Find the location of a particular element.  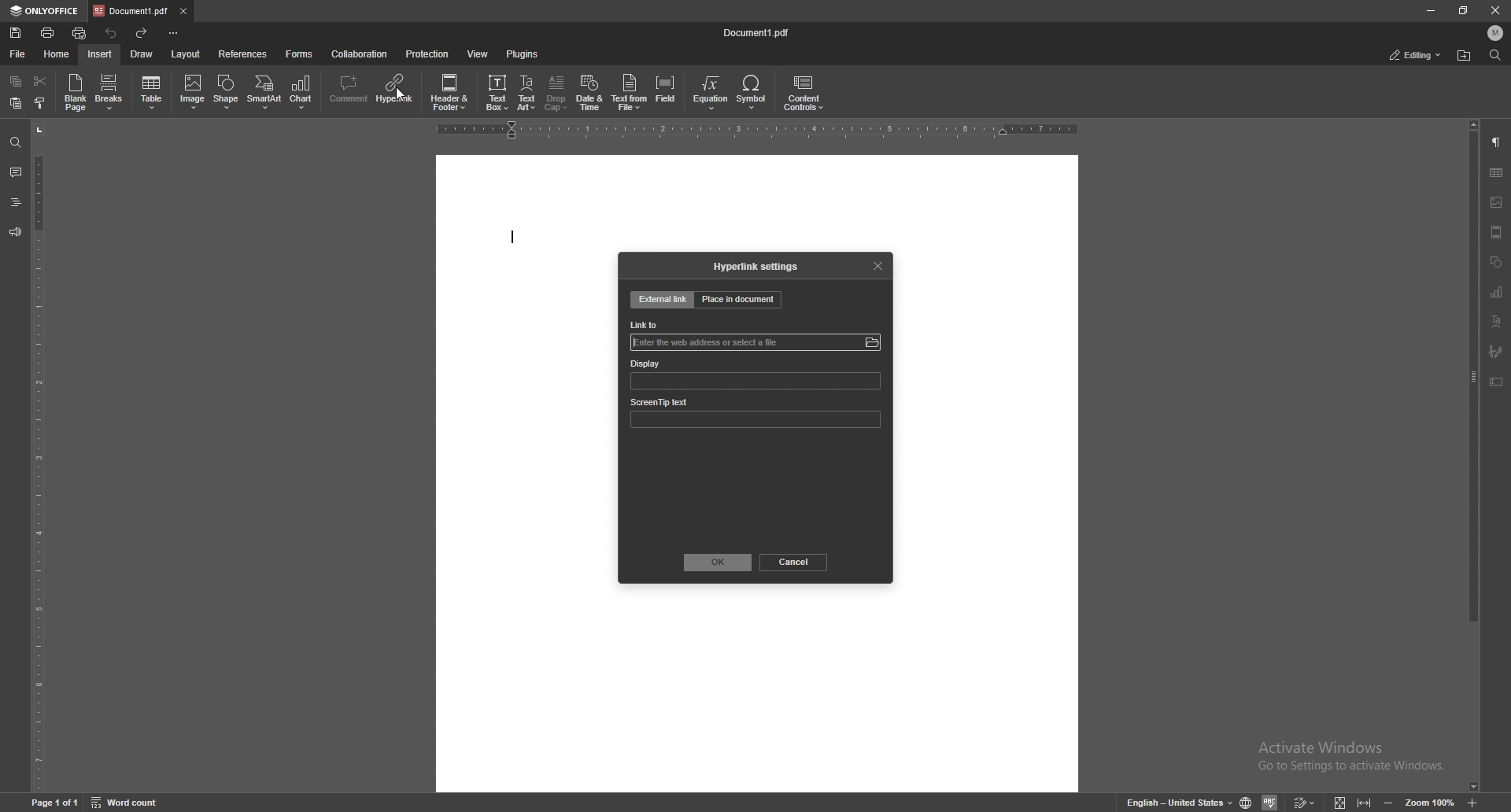

draw is located at coordinates (142, 54).